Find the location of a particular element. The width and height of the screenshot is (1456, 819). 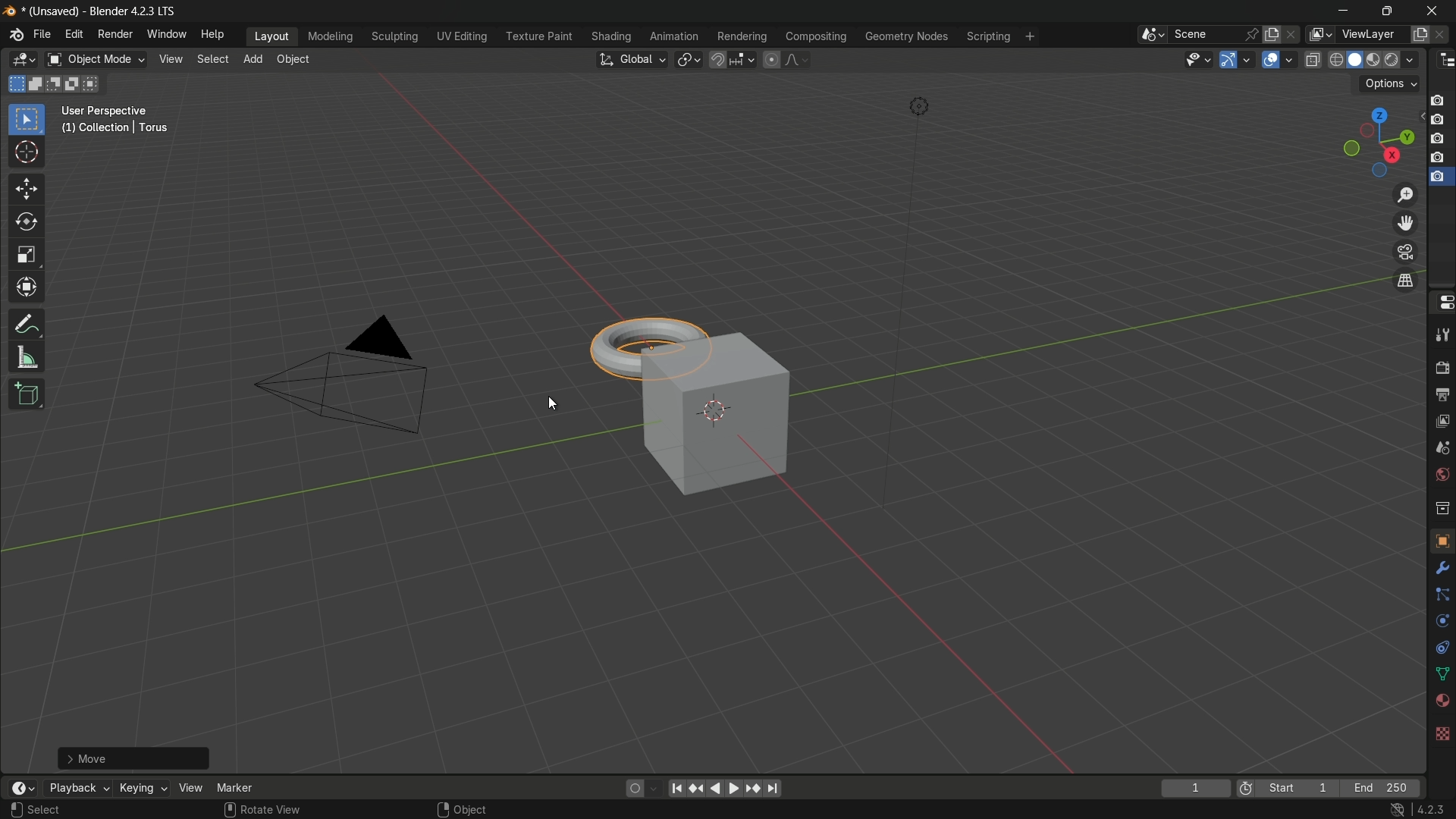

logo is located at coordinates (11, 11).